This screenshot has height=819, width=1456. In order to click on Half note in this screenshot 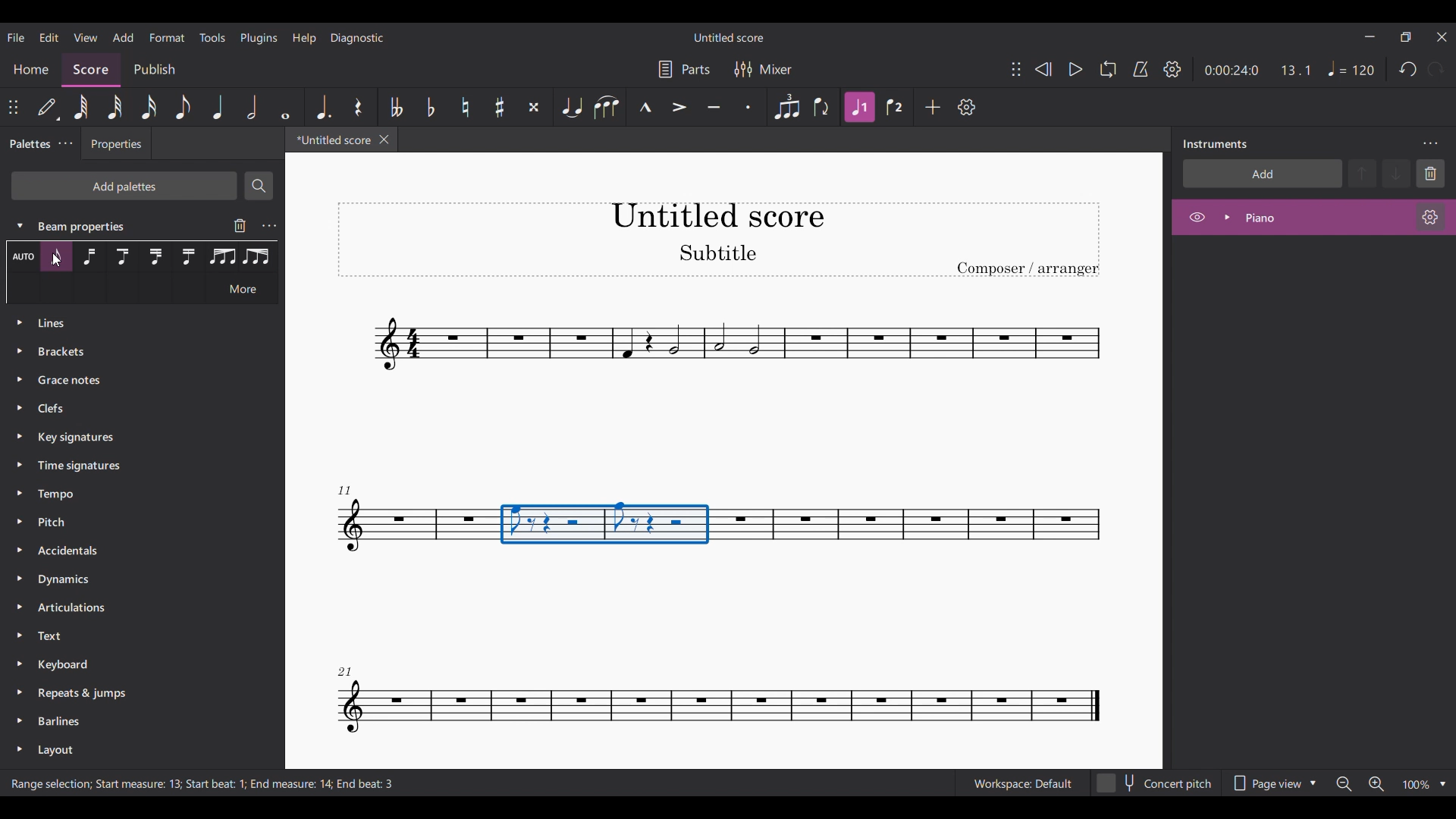, I will do `click(252, 107)`.